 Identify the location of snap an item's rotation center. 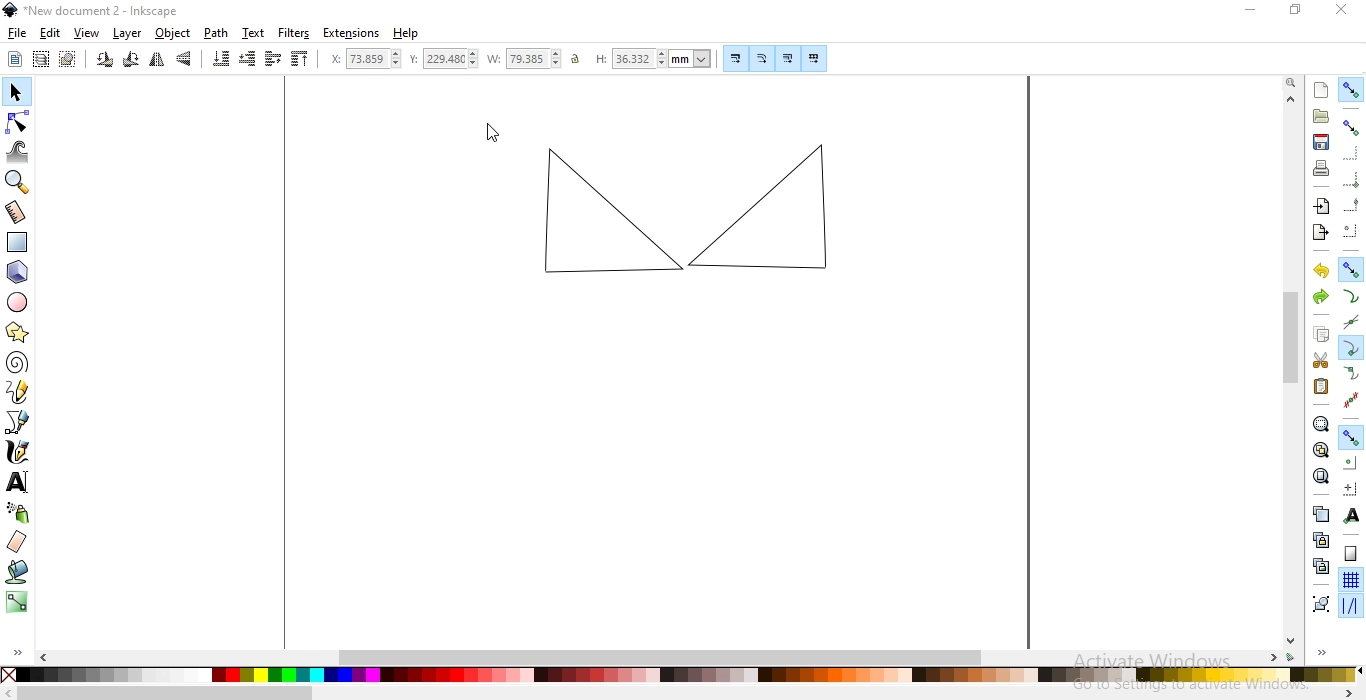
(1351, 488).